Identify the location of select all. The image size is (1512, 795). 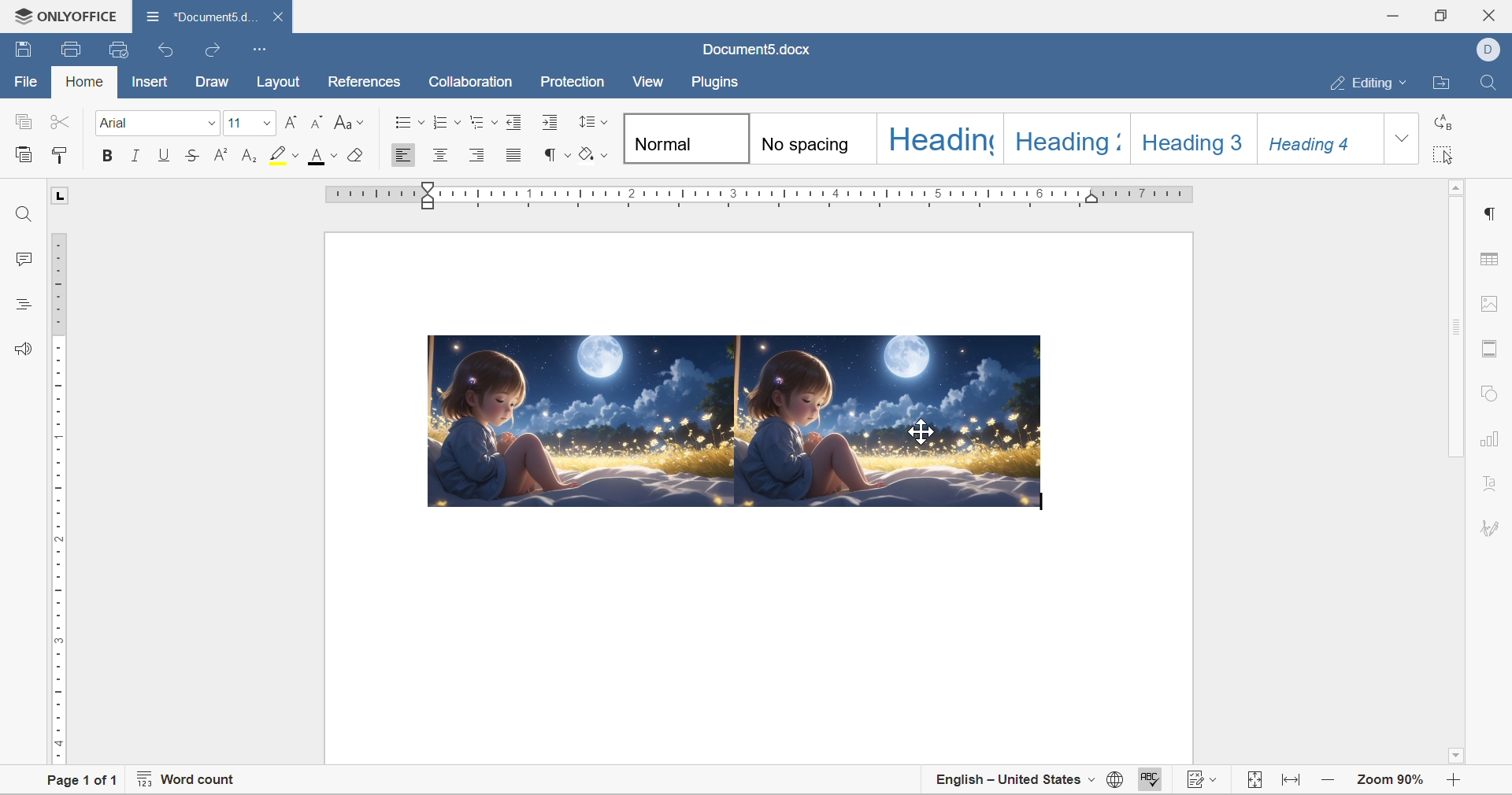
(1443, 154).